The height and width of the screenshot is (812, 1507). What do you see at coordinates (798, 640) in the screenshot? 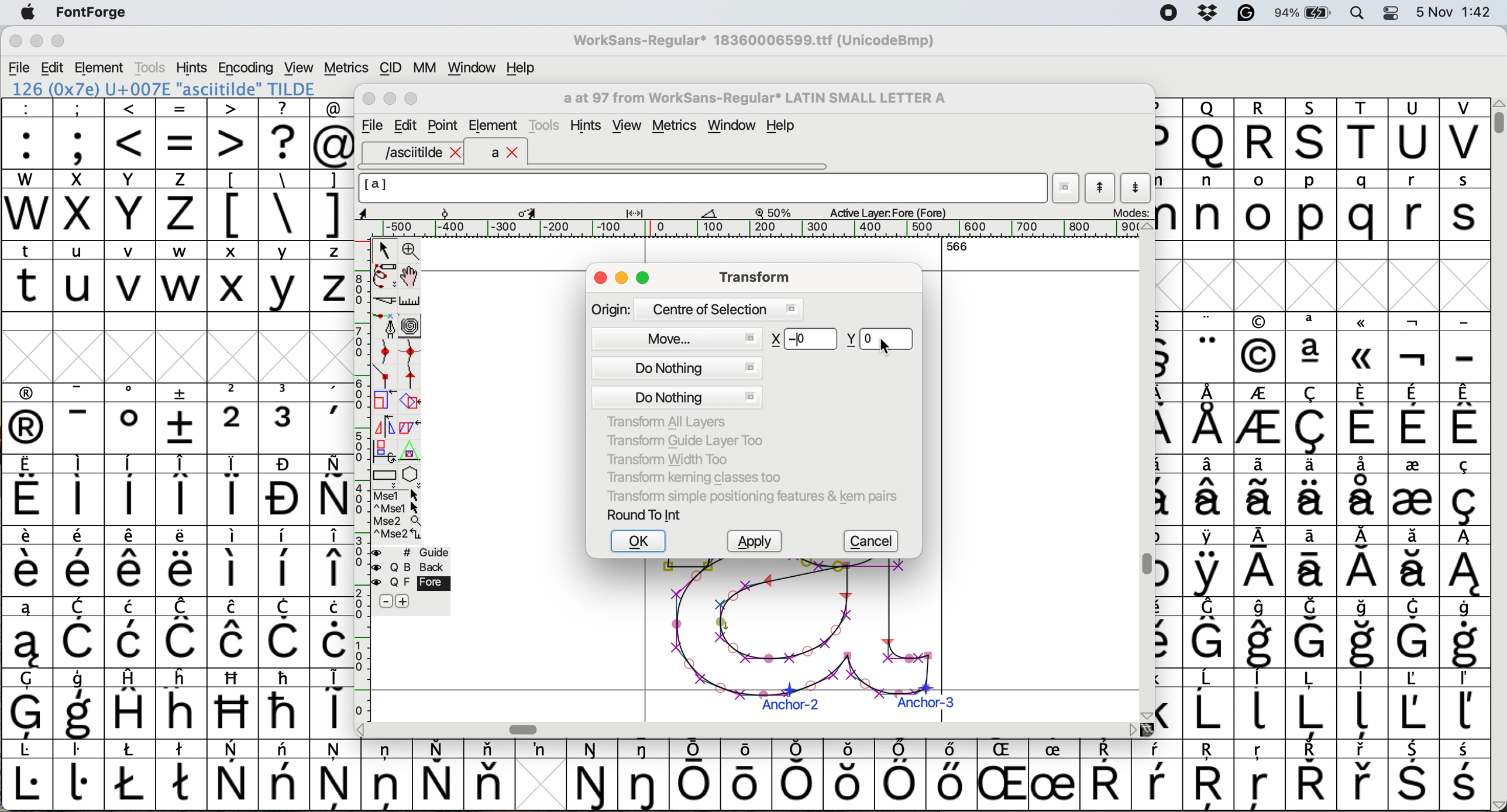
I see `a glyph` at bounding box center [798, 640].